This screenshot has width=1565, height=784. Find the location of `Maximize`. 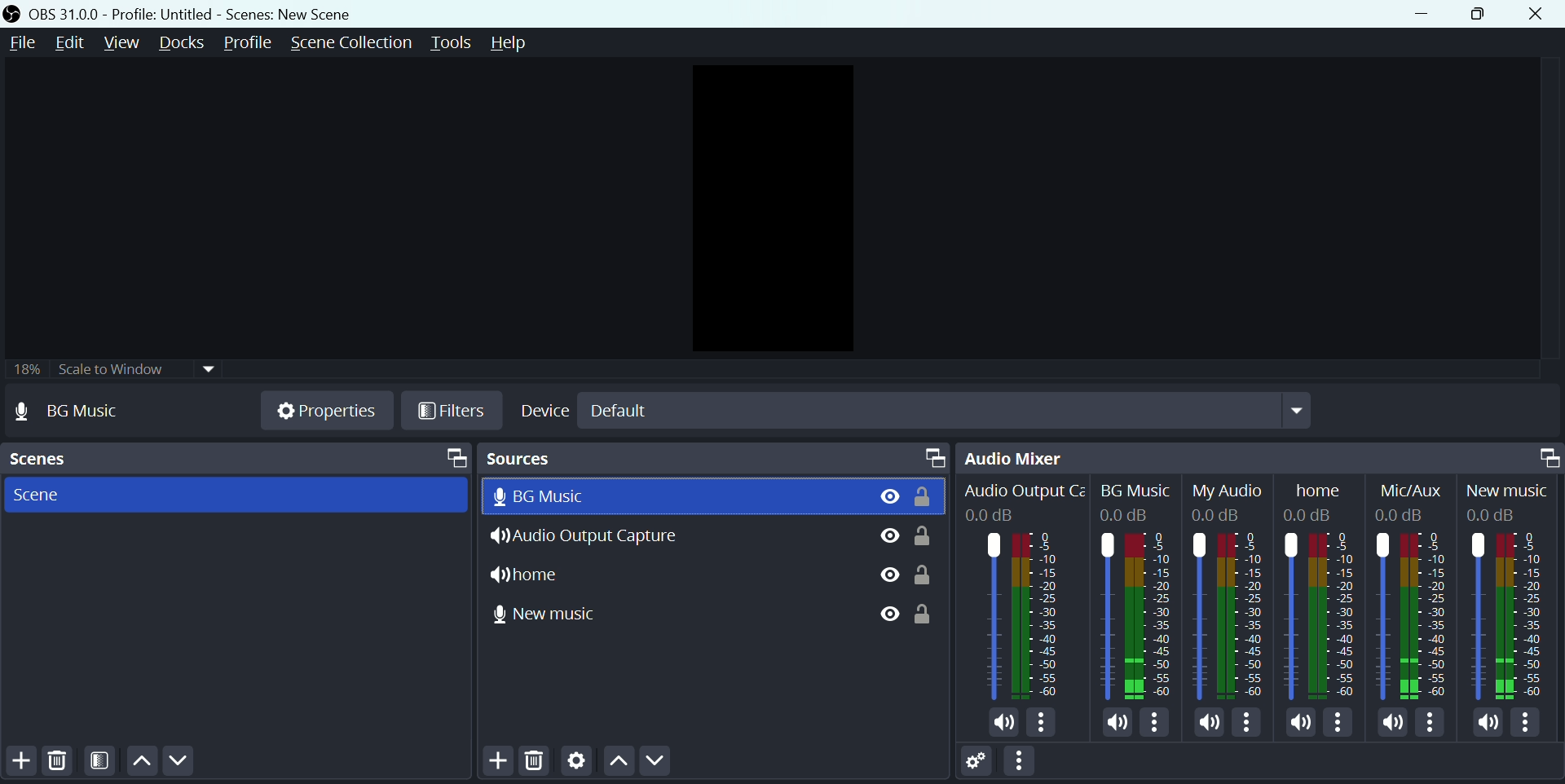

Maximize is located at coordinates (452, 456).